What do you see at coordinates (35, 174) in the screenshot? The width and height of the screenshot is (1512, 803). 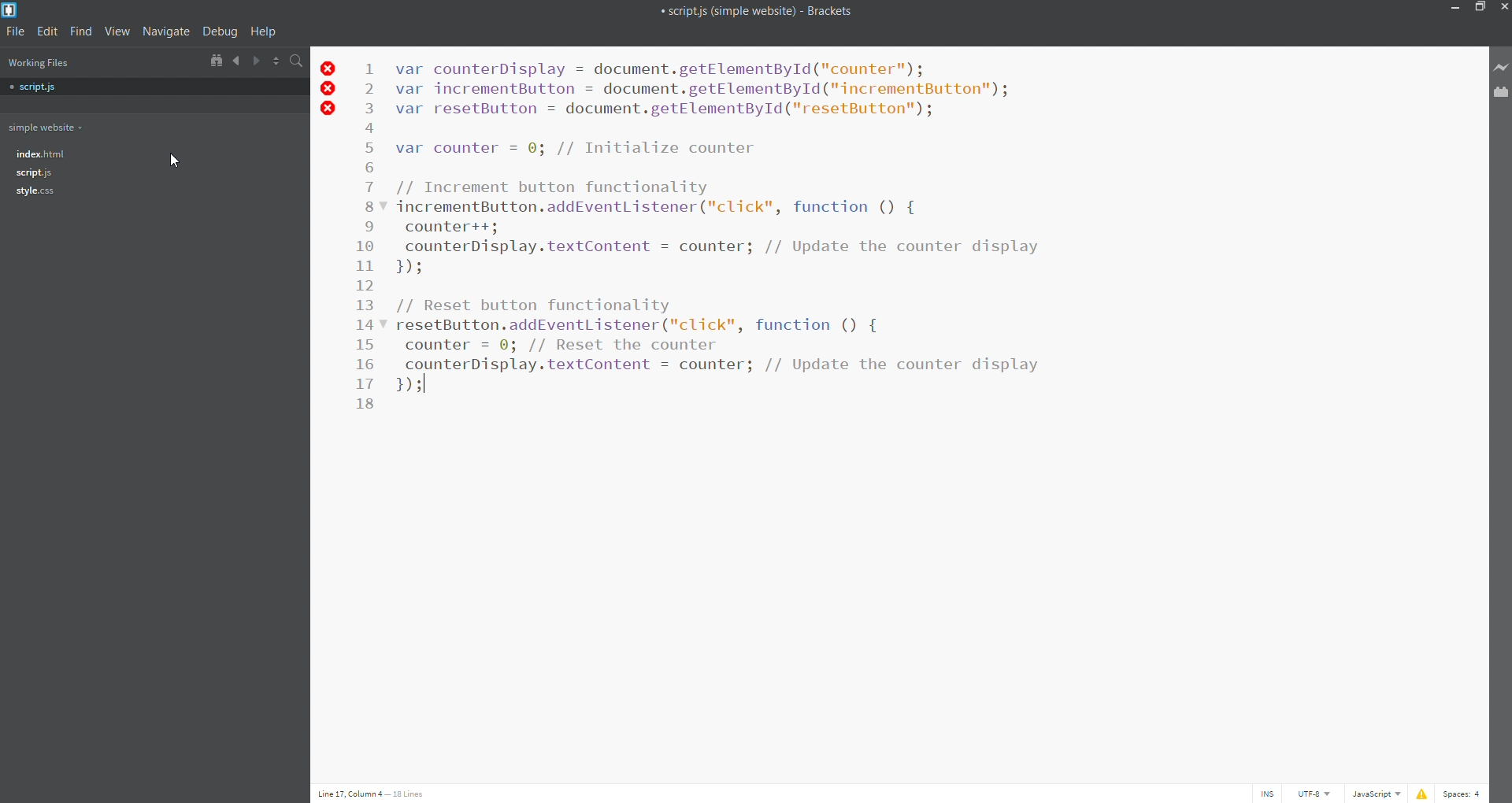 I see `file tree- script.js` at bounding box center [35, 174].